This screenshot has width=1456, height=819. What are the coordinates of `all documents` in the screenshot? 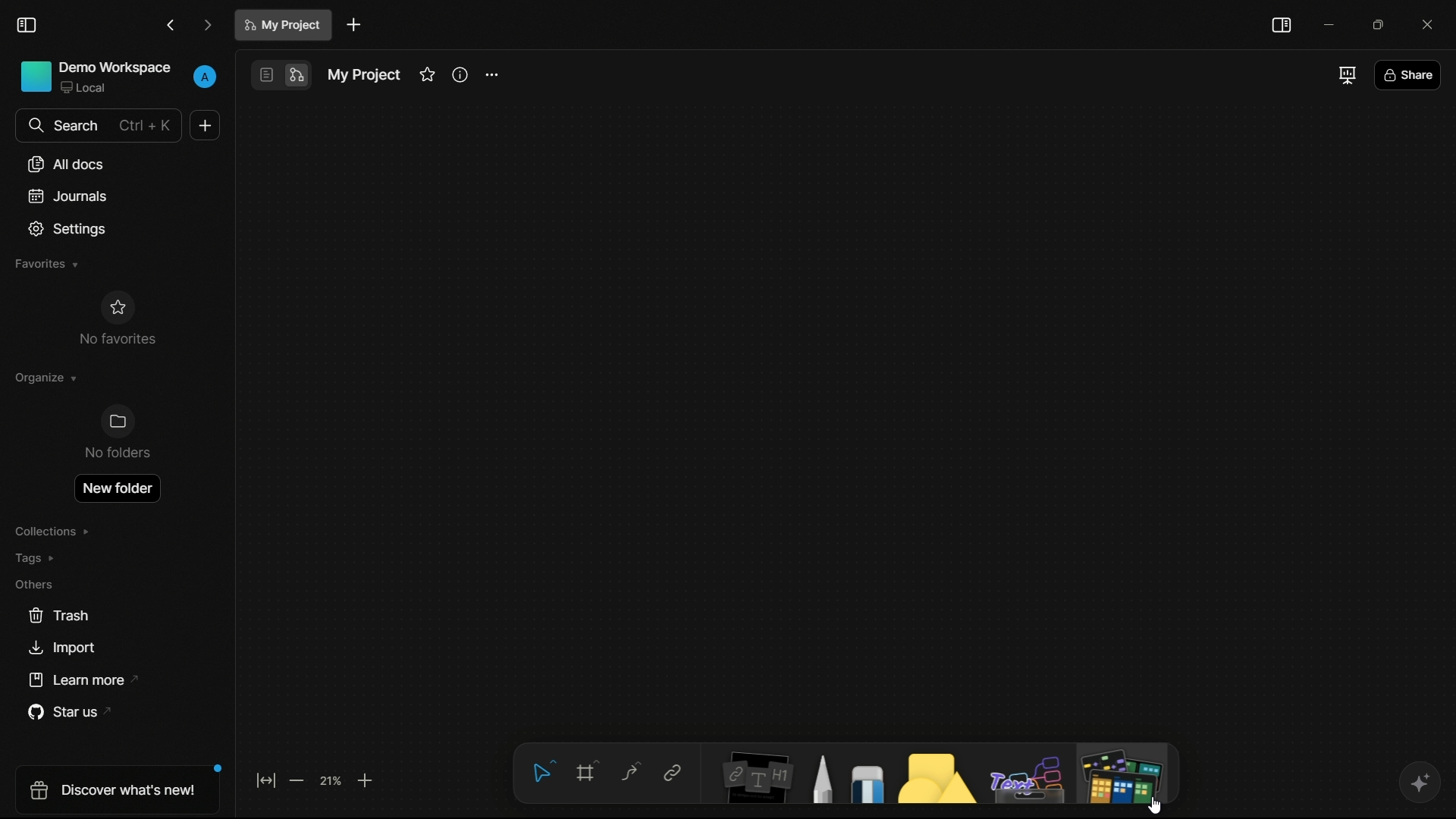 It's located at (65, 165).